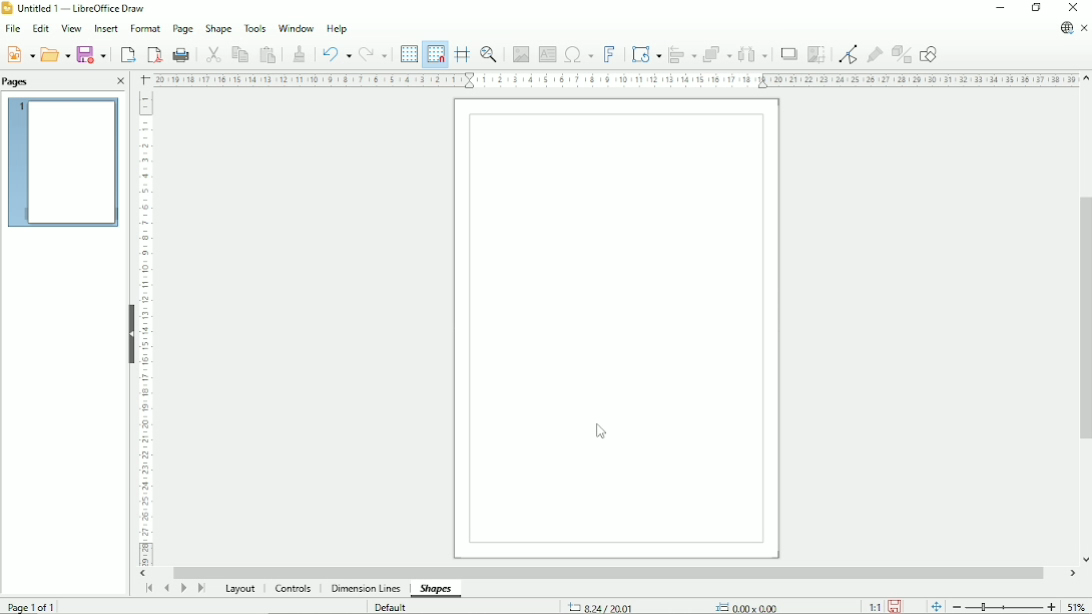 Image resolution: width=1092 pixels, height=614 pixels. I want to click on Scroll to previous page, so click(166, 588).